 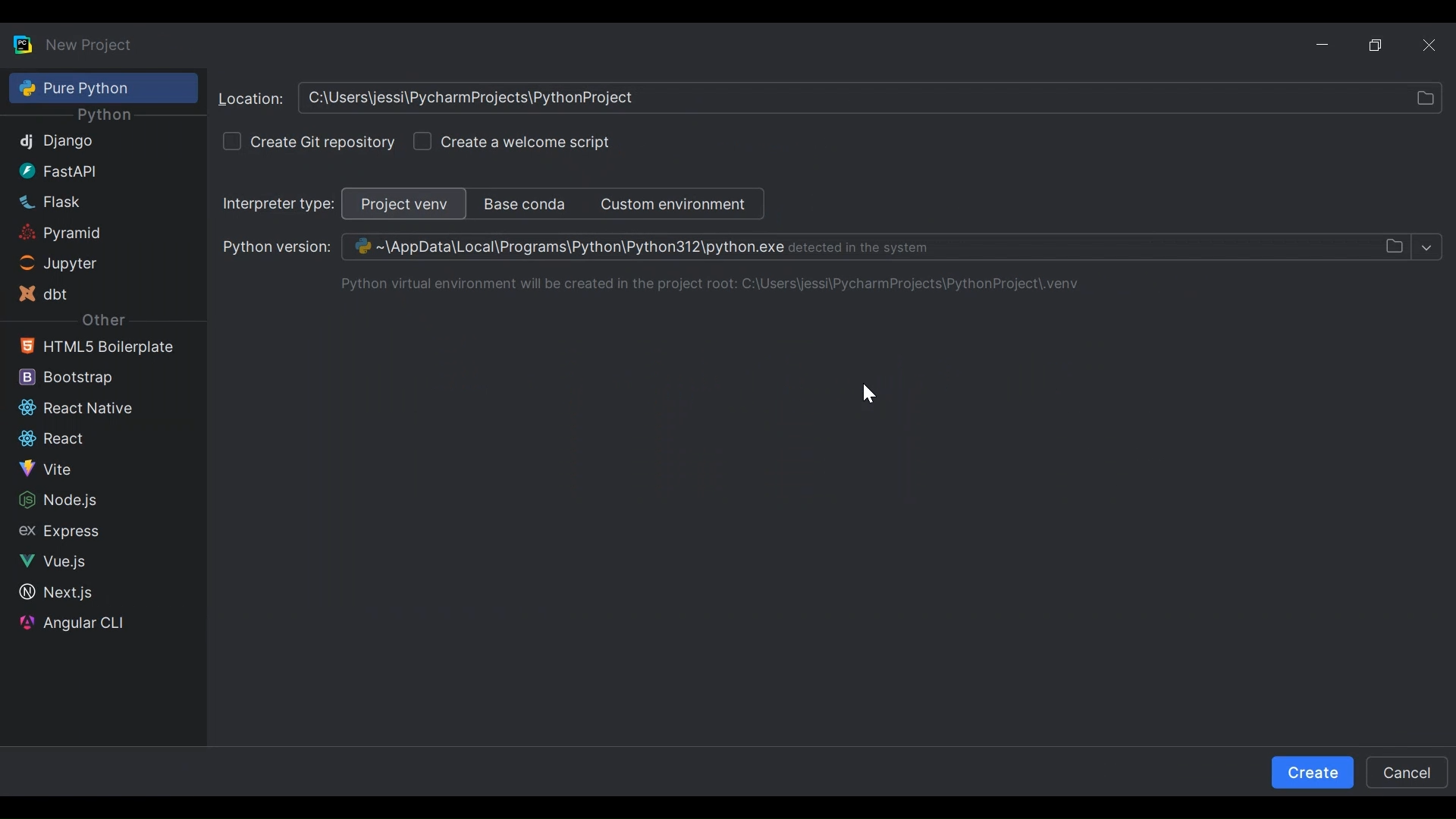 I want to click on Python virtual environment will be created in the project root. C:\Users\jessi\PycharmProjects\PythonProject\venv, so click(x=718, y=284).